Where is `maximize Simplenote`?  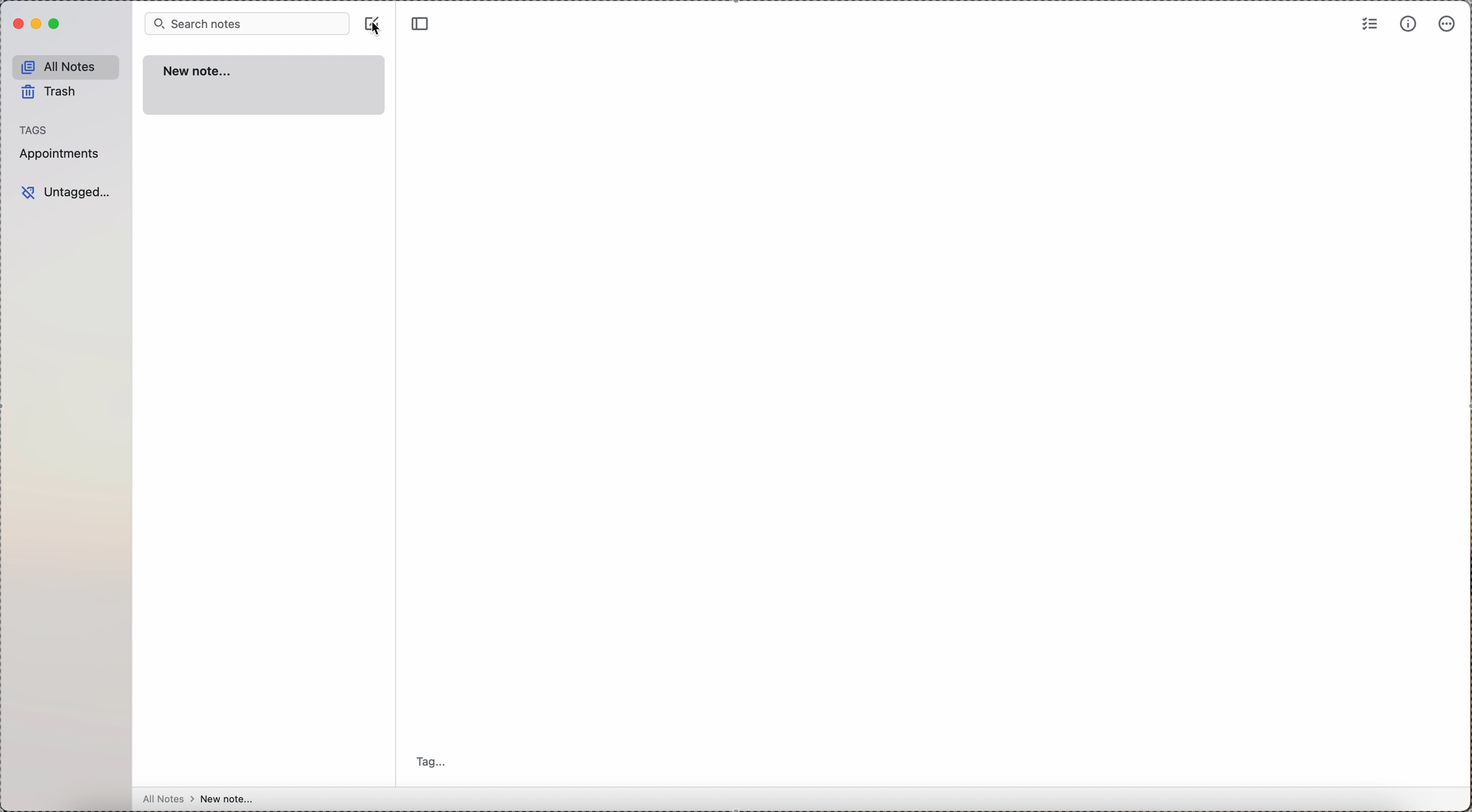
maximize Simplenote is located at coordinates (56, 24).